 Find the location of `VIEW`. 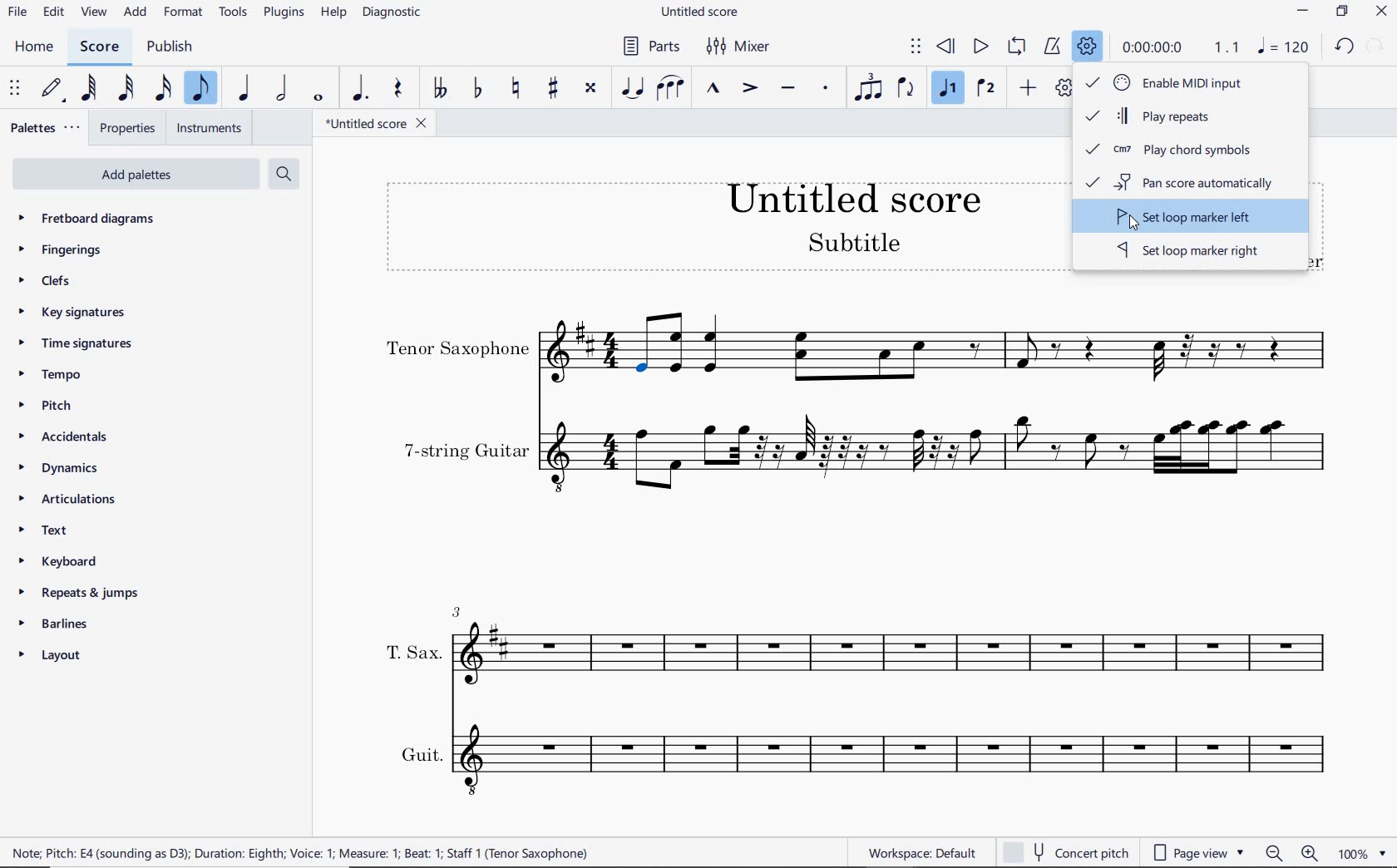

VIEW is located at coordinates (93, 12).